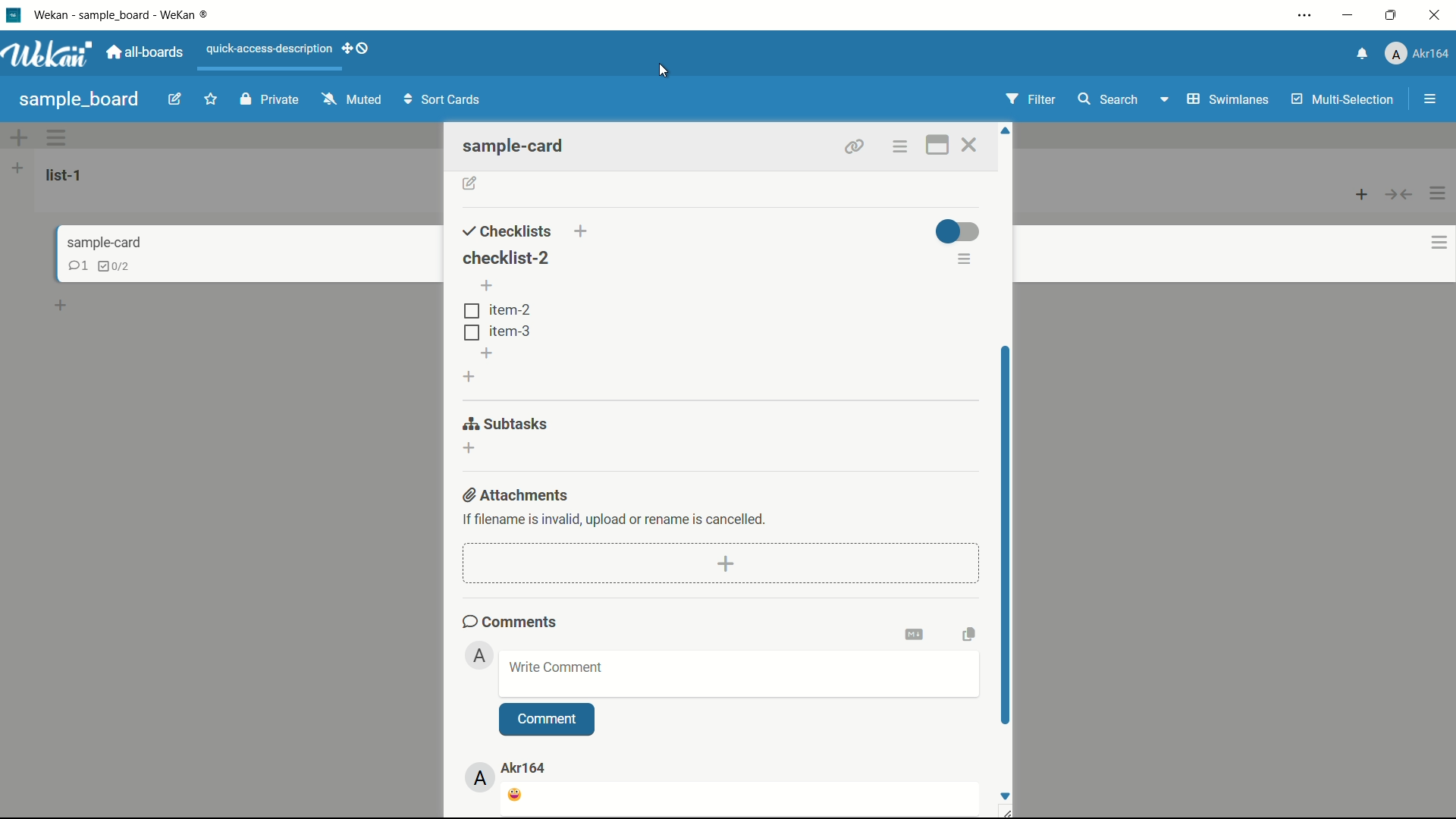  I want to click on settings and more, so click(1304, 14).